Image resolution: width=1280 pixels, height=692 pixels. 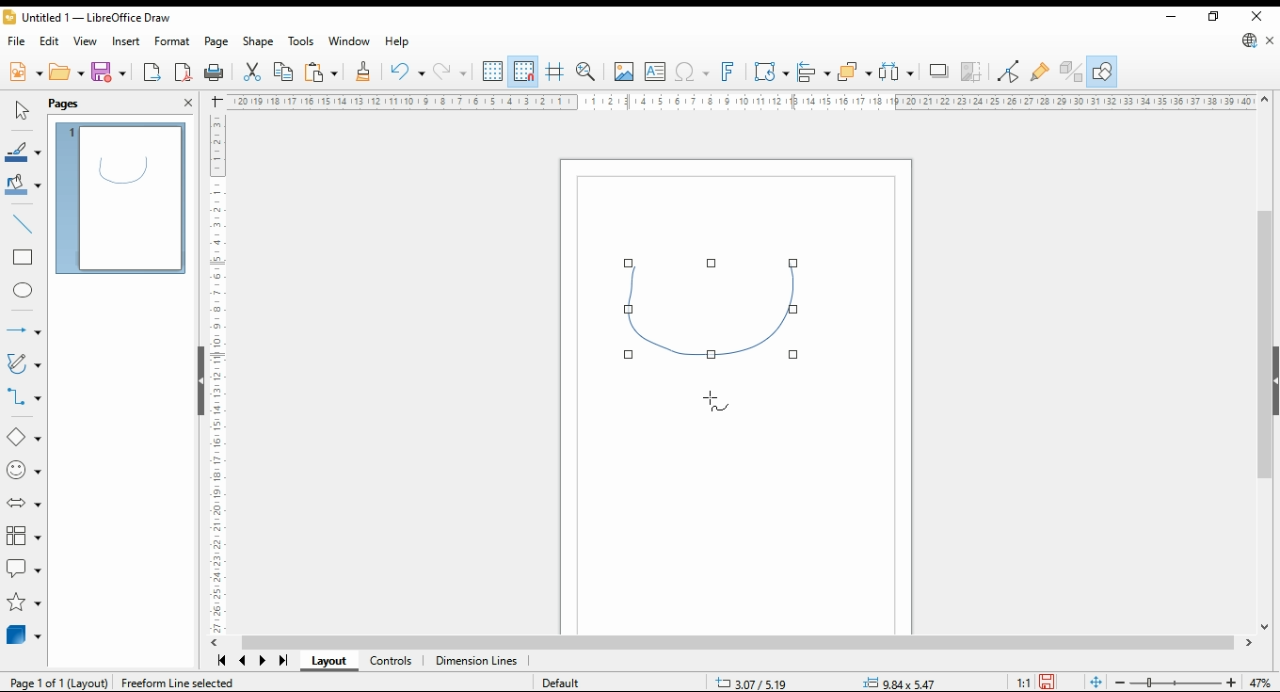 I want to click on freeroam line selected, so click(x=177, y=682).